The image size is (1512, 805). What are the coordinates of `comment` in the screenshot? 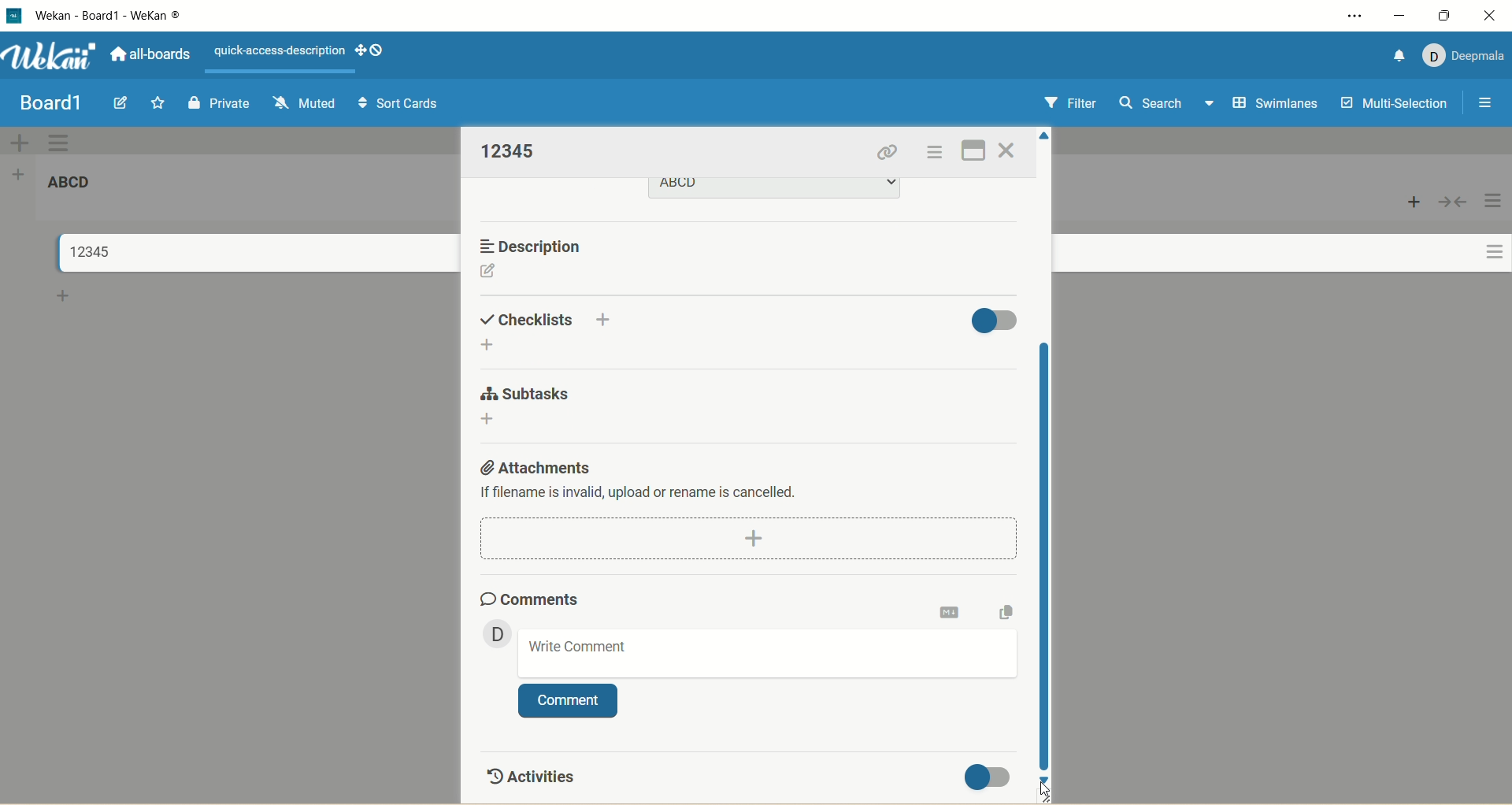 It's located at (568, 702).